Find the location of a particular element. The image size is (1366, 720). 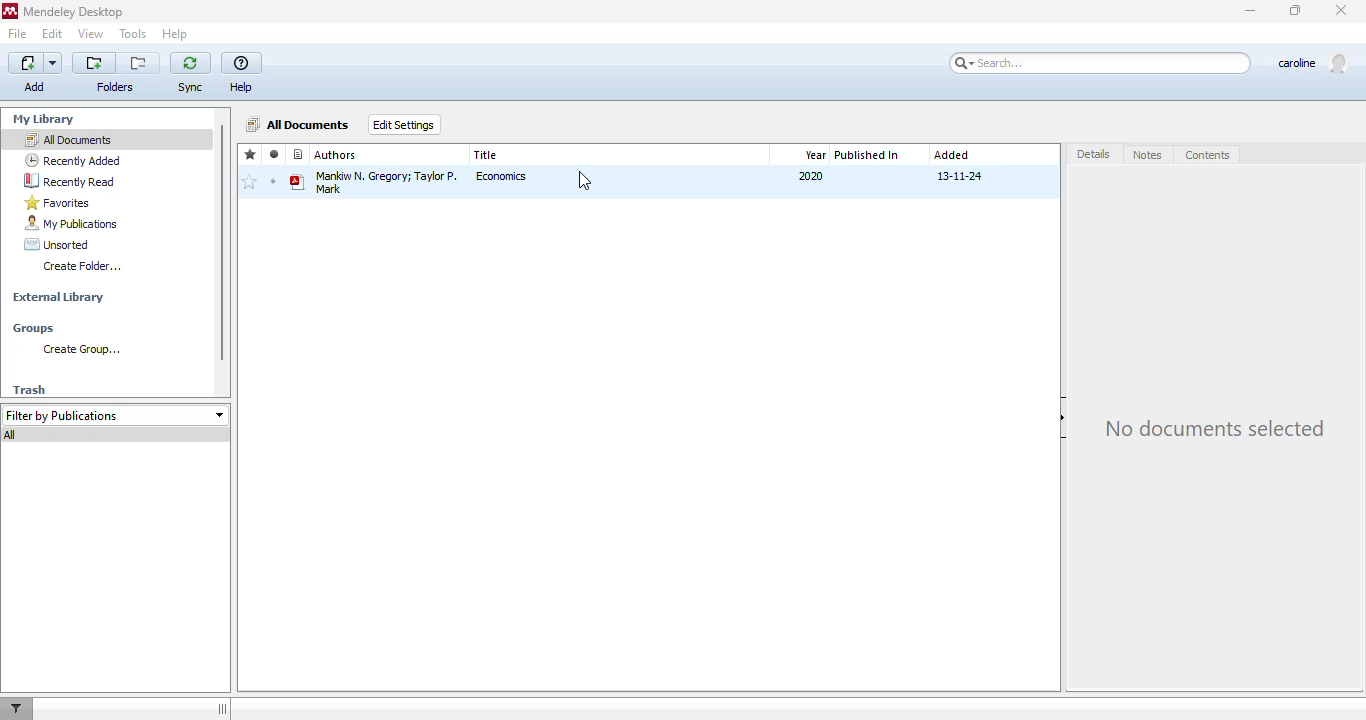

file type is located at coordinates (298, 155).